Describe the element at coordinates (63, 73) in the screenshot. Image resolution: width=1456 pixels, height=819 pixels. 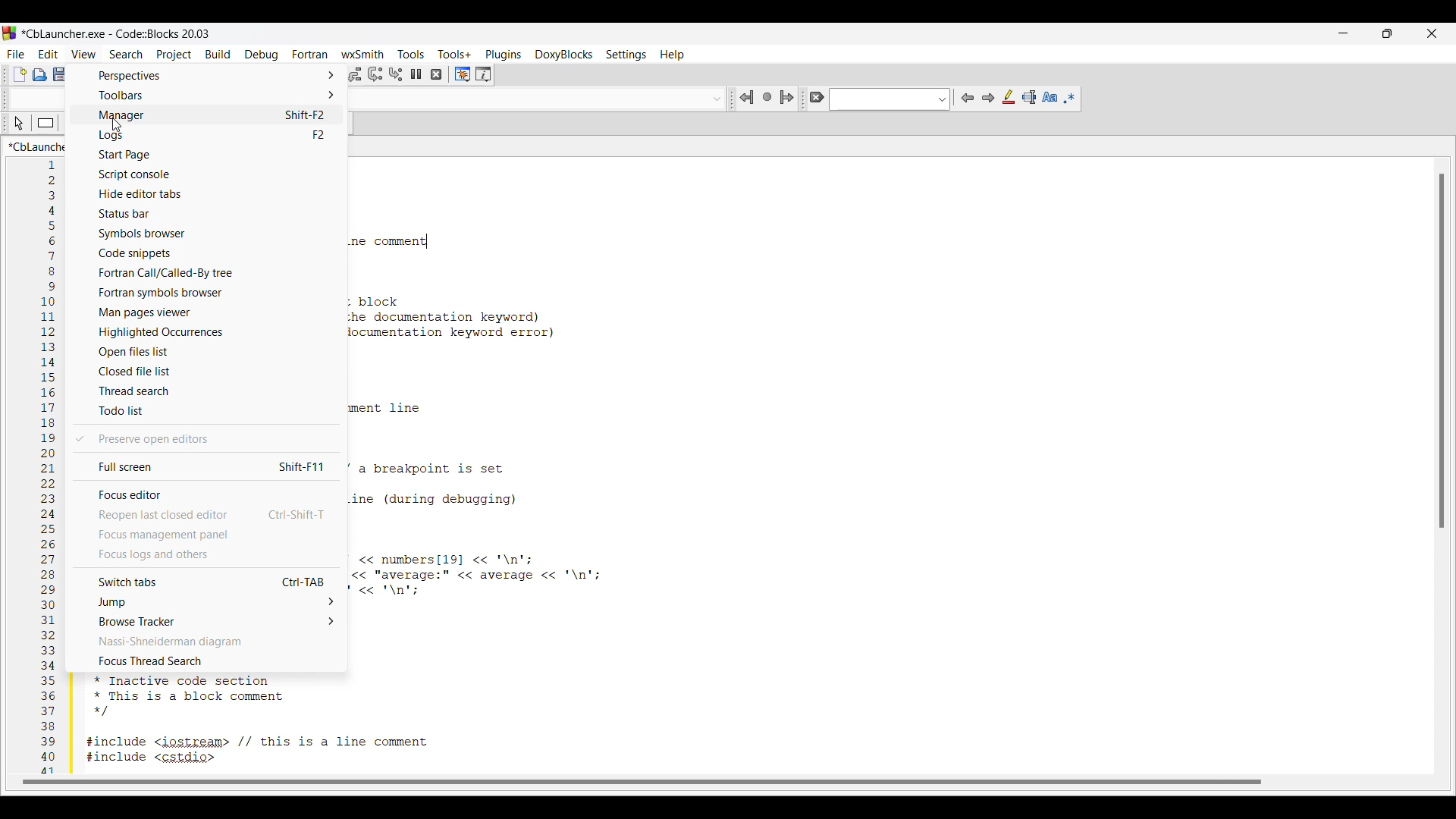
I see `file 2` at that location.